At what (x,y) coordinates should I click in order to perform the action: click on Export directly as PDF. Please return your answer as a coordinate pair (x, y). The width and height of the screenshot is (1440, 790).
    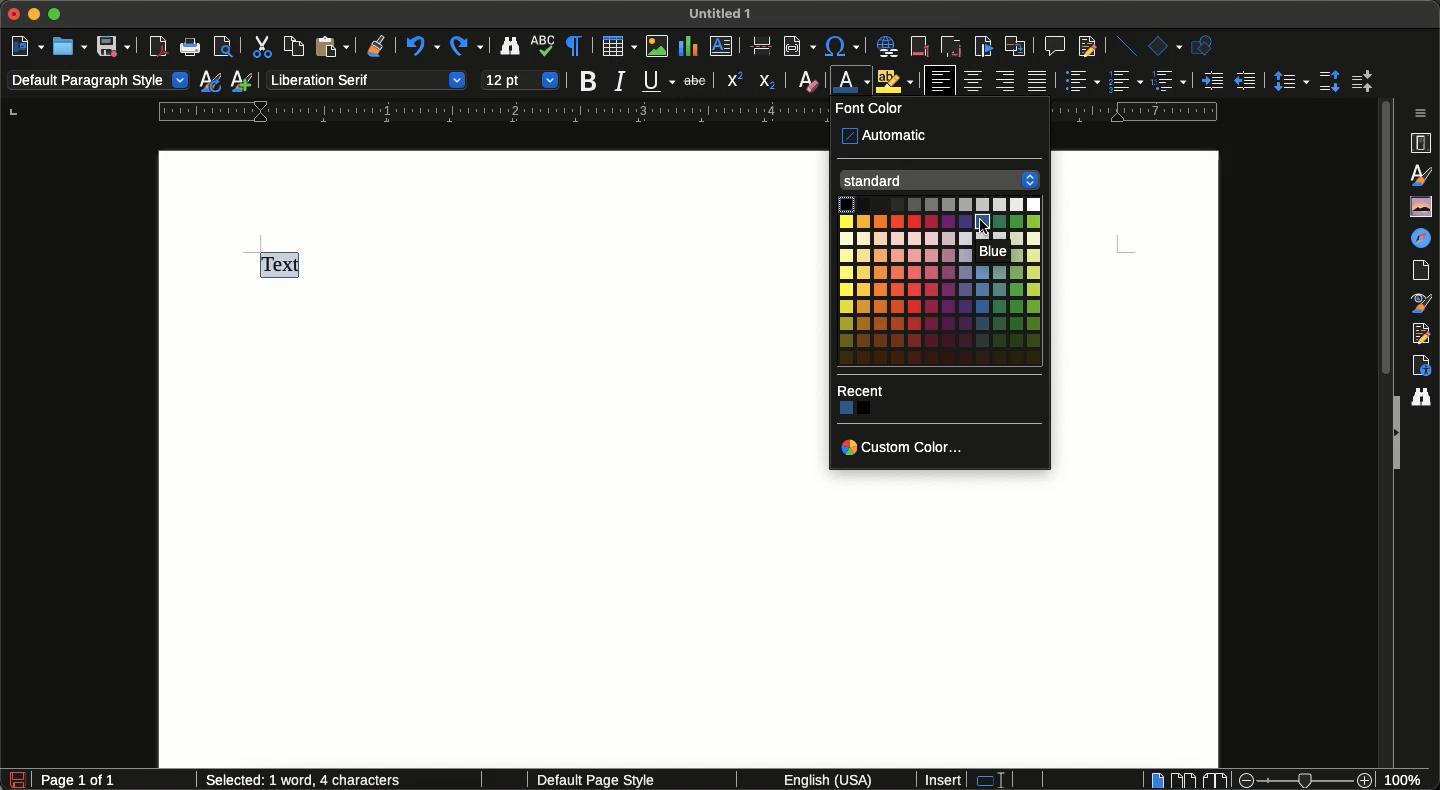
    Looking at the image, I should click on (159, 47).